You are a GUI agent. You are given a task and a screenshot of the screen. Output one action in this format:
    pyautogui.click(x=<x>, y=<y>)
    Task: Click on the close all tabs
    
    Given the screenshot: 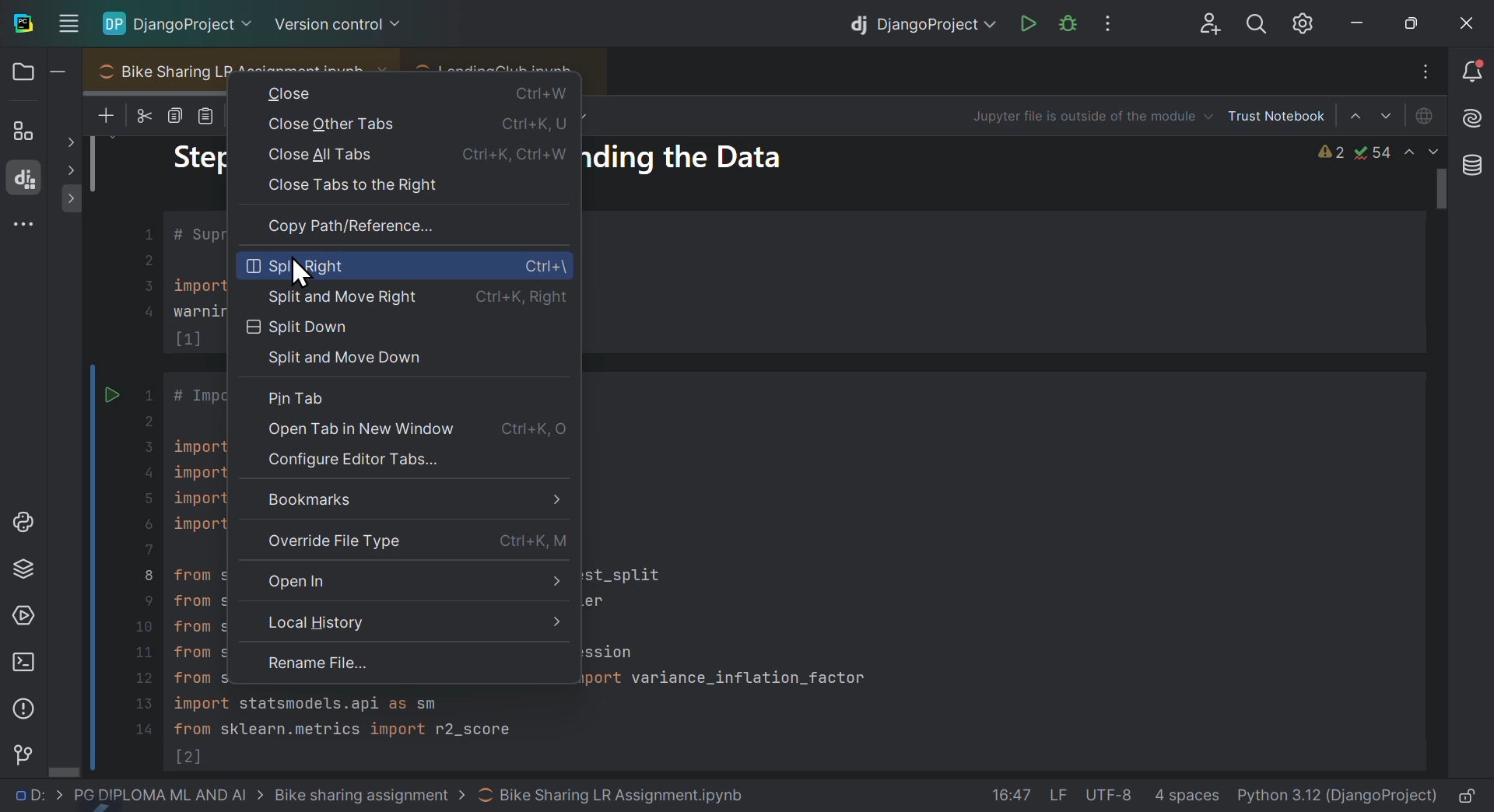 What is the action you would take?
    pyautogui.click(x=409, y=153)
    